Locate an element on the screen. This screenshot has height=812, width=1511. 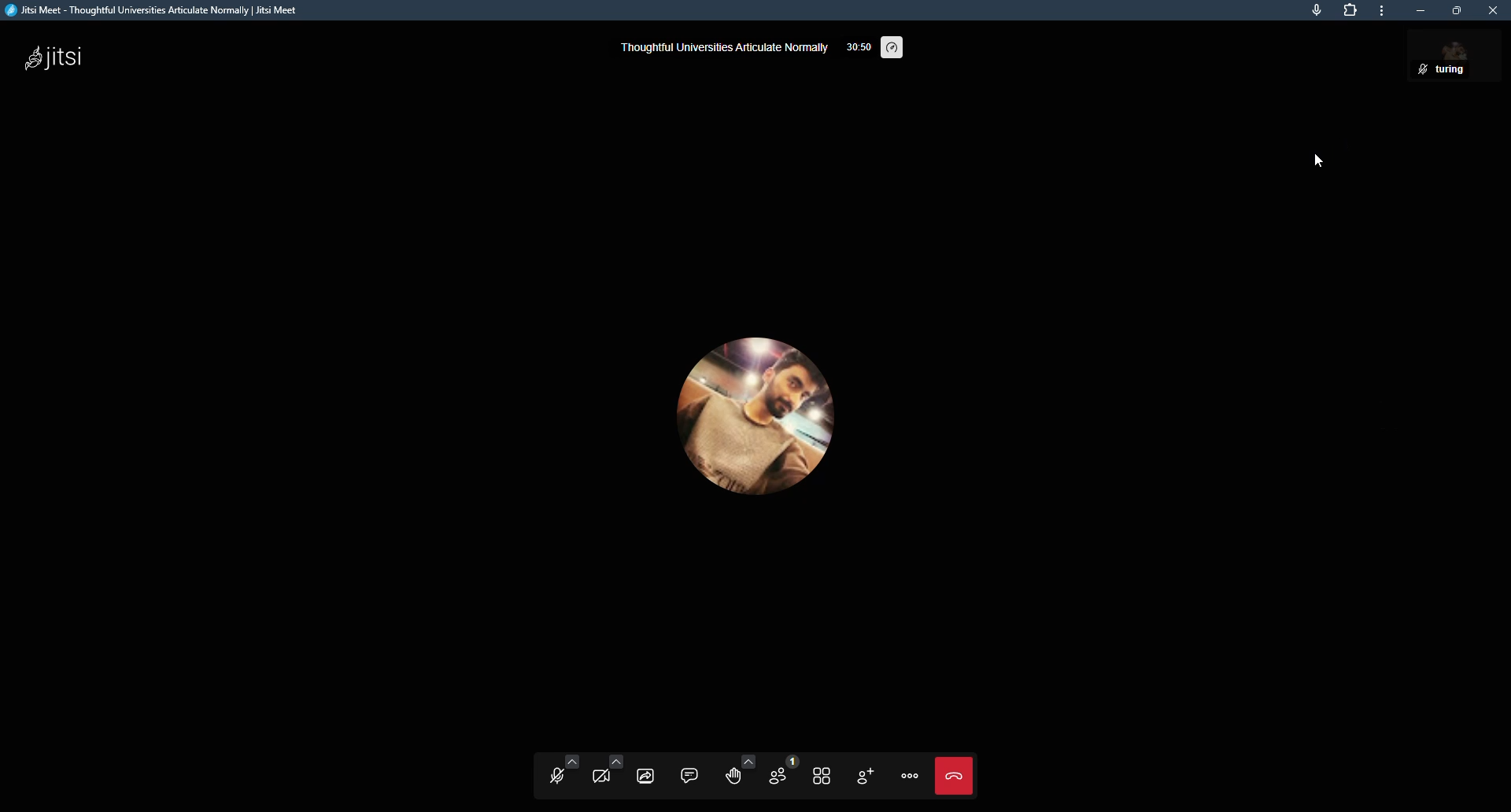
cursor is located at coordinates (1322, 157).